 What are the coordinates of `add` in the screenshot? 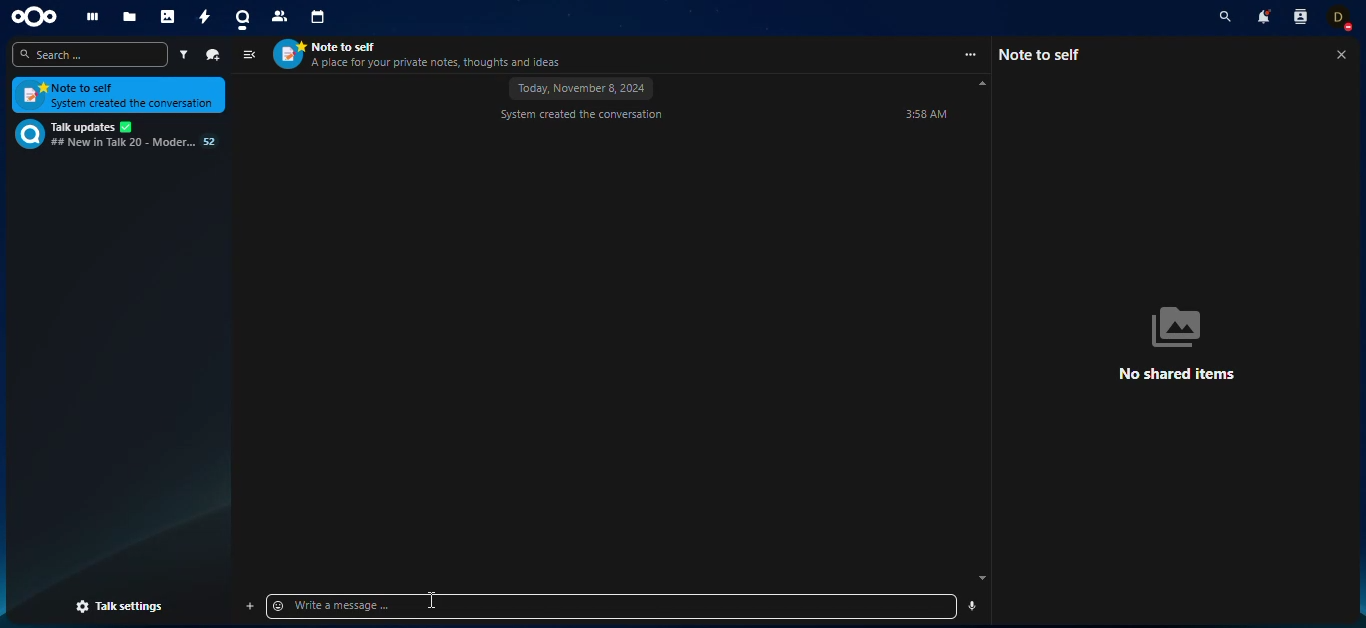 It's located at (250, 606).